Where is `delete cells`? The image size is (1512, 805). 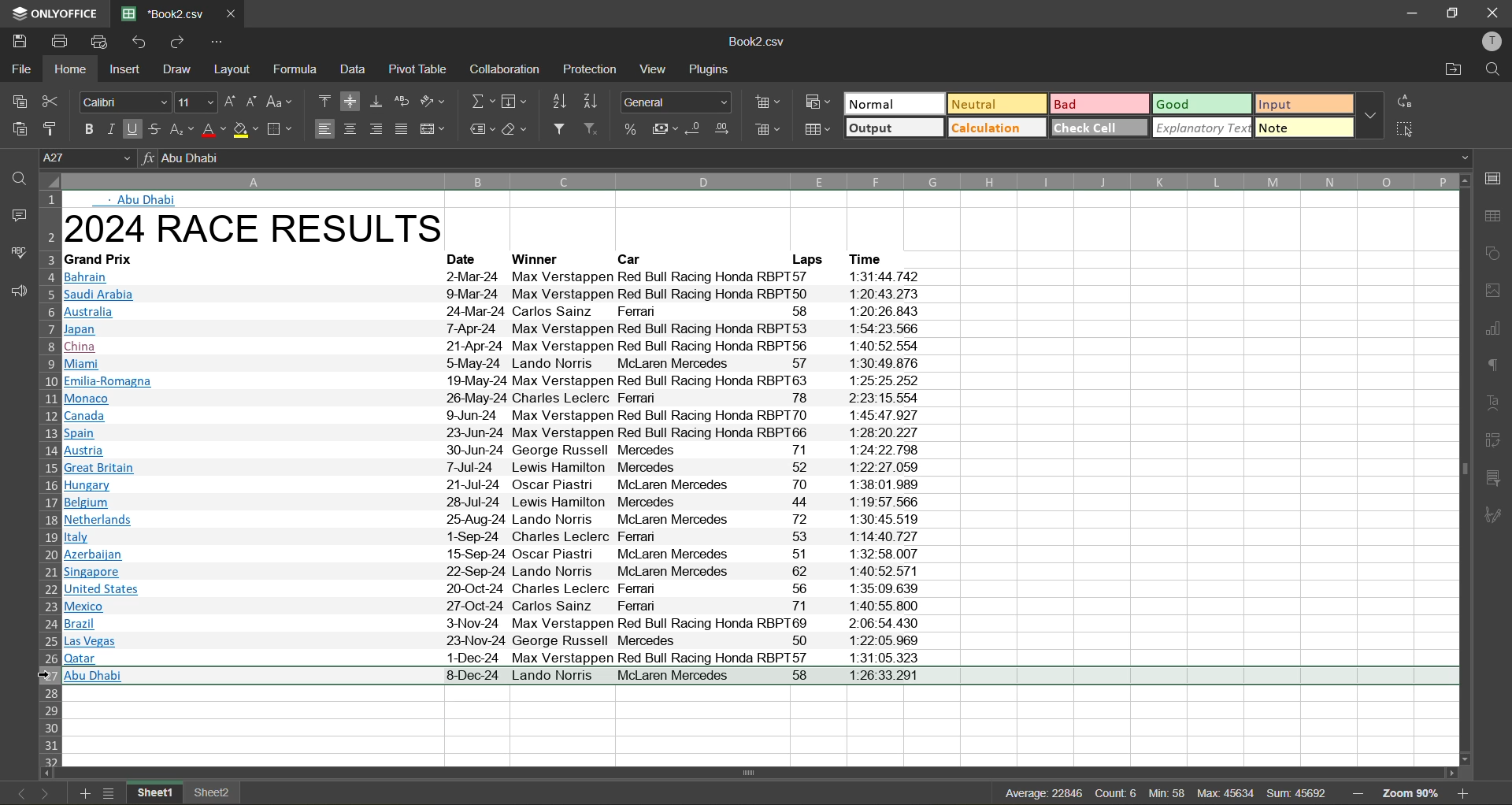 delete cells is located at coordinates (767, 132).